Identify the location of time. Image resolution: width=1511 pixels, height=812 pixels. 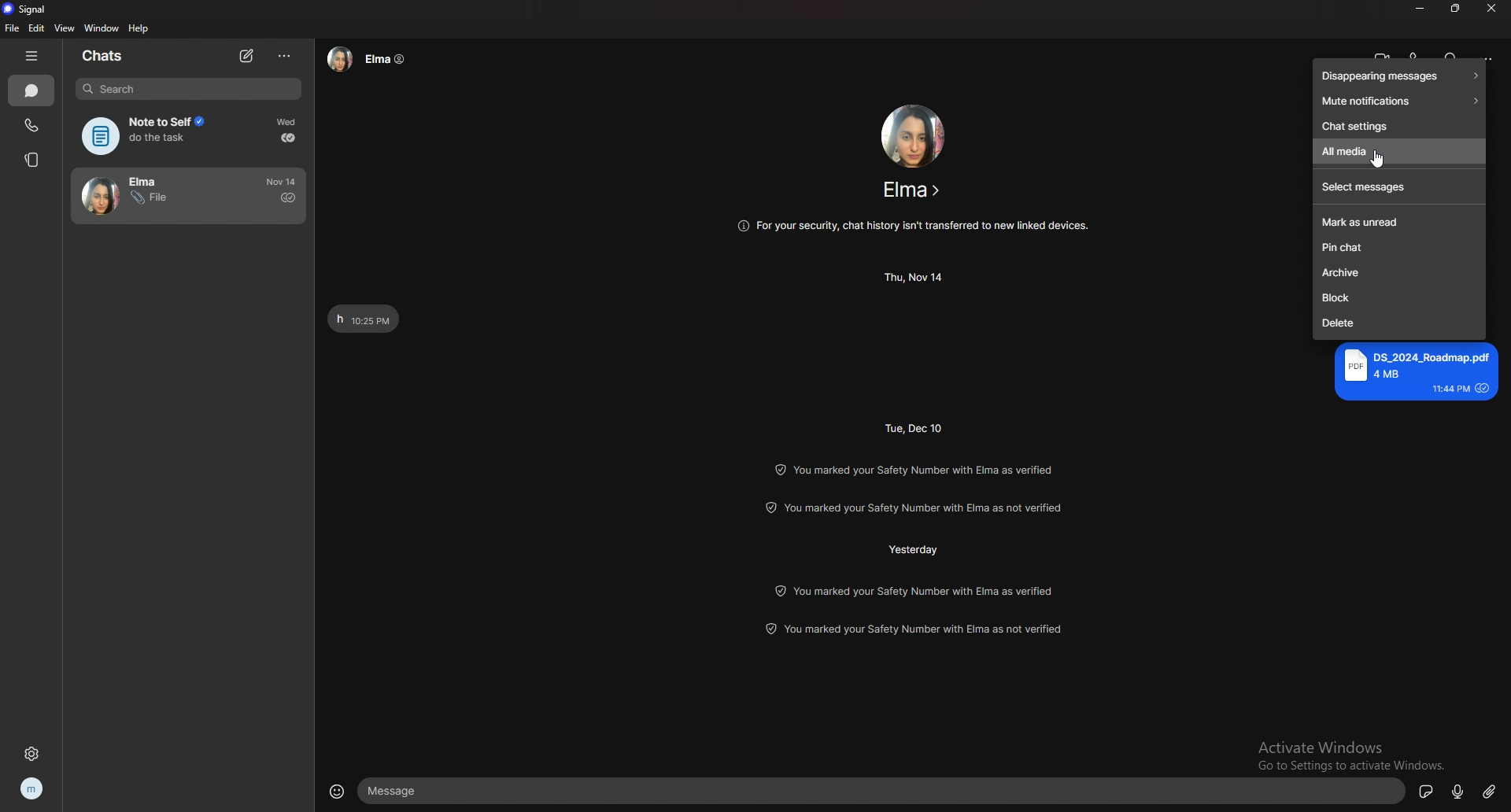
(916, 277).